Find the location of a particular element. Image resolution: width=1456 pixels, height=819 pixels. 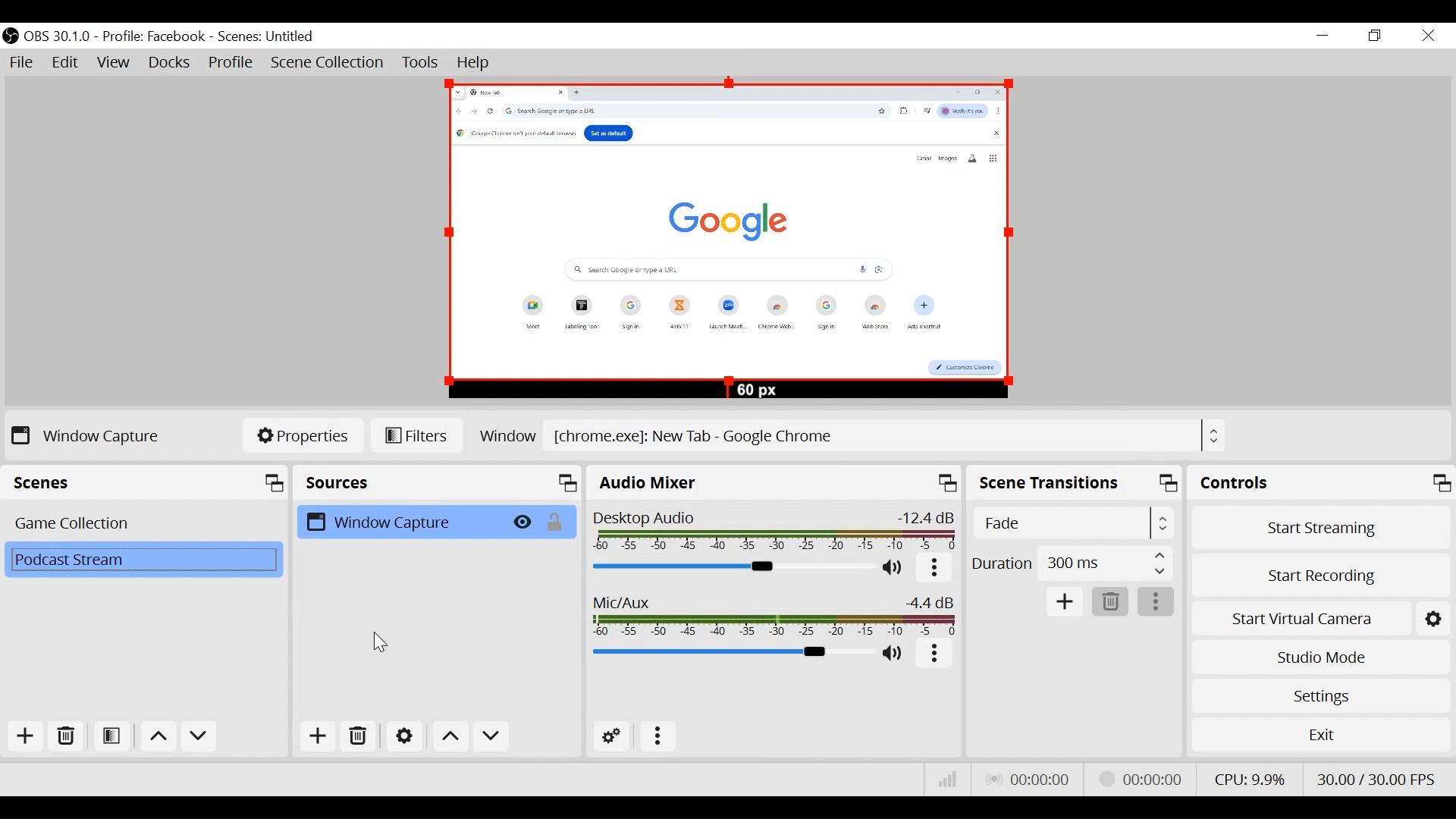

Remove is located at coordinates (1109, 601).